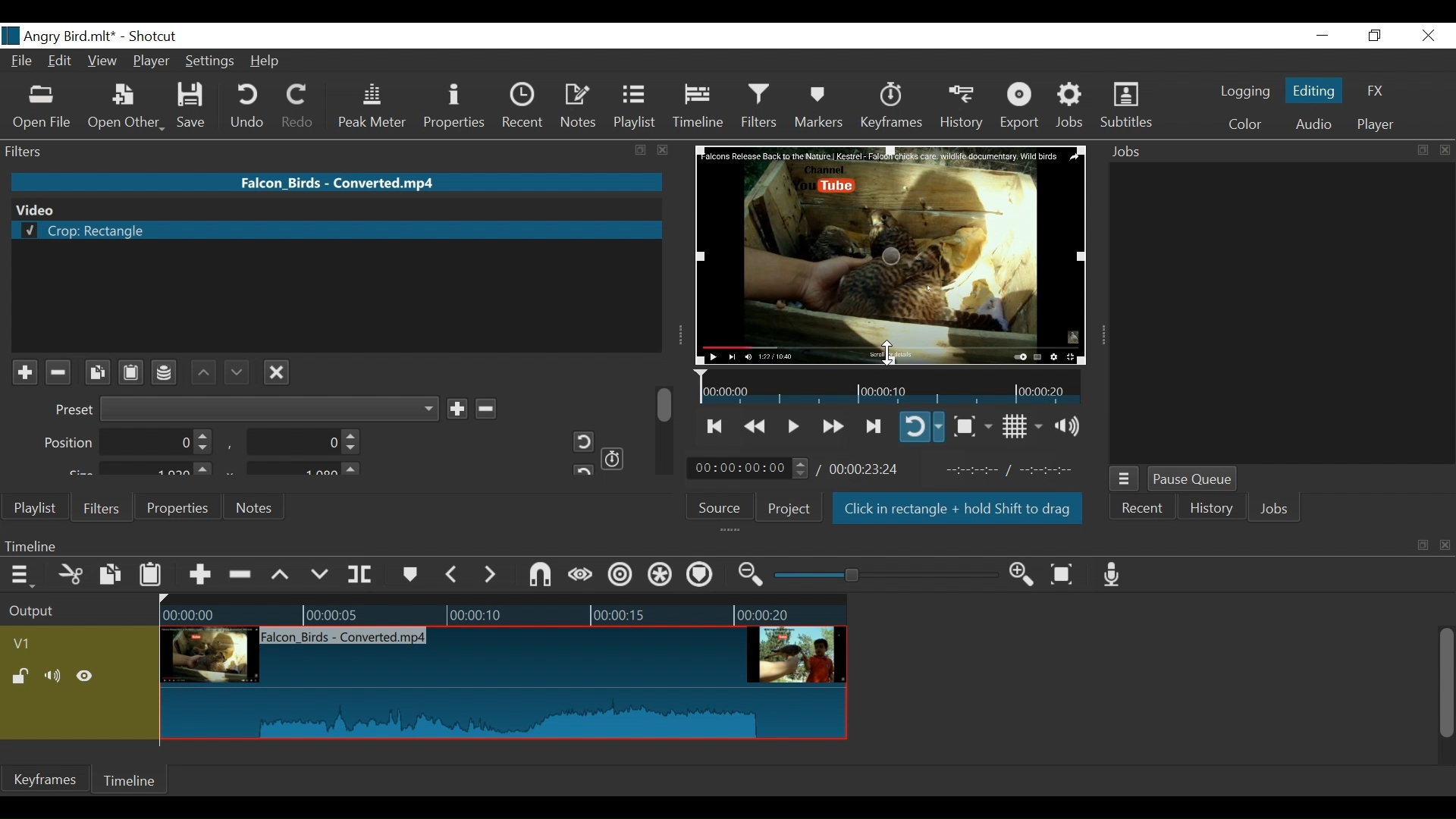  I want to click on Color, so click(1241, 124).